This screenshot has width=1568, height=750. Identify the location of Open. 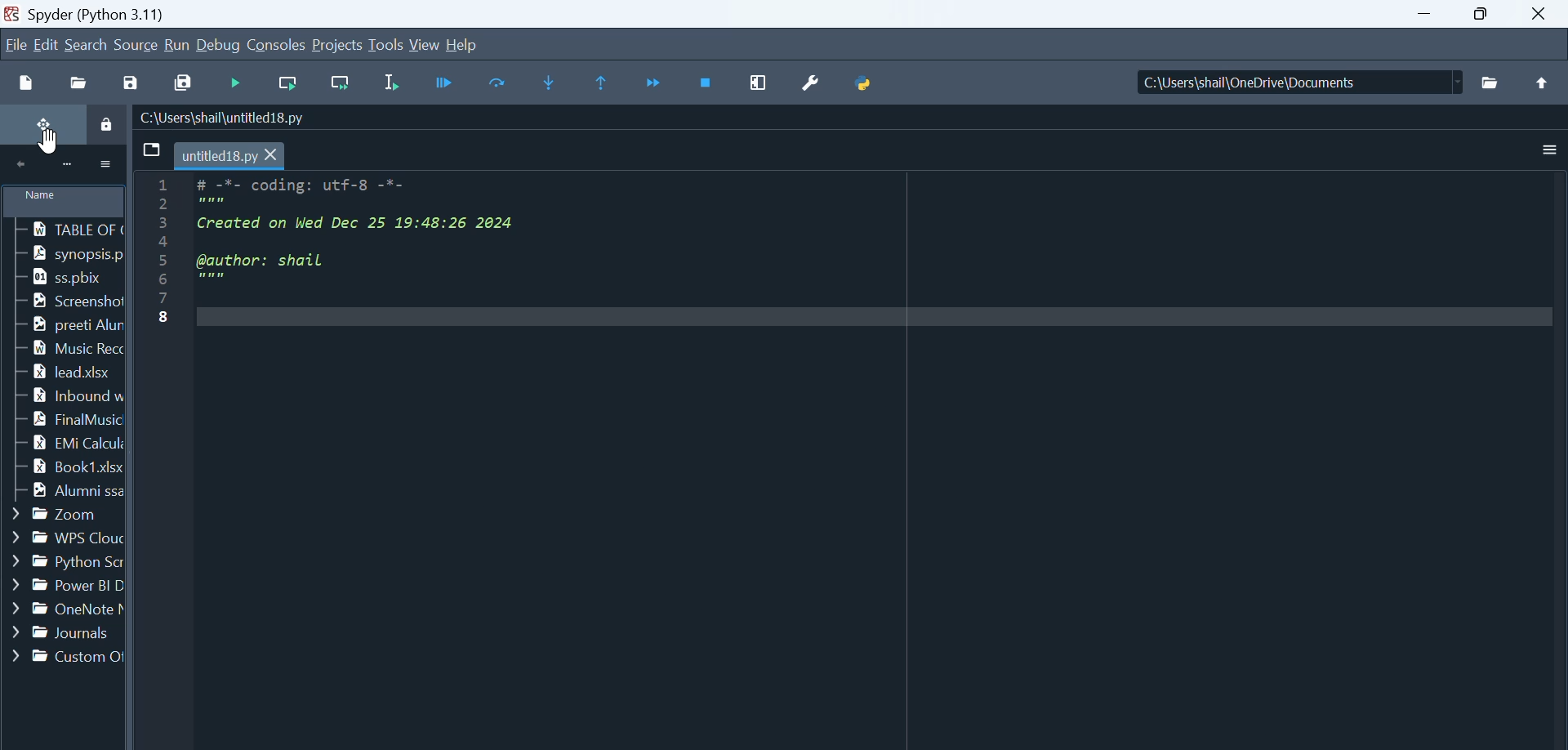
(82, 82).